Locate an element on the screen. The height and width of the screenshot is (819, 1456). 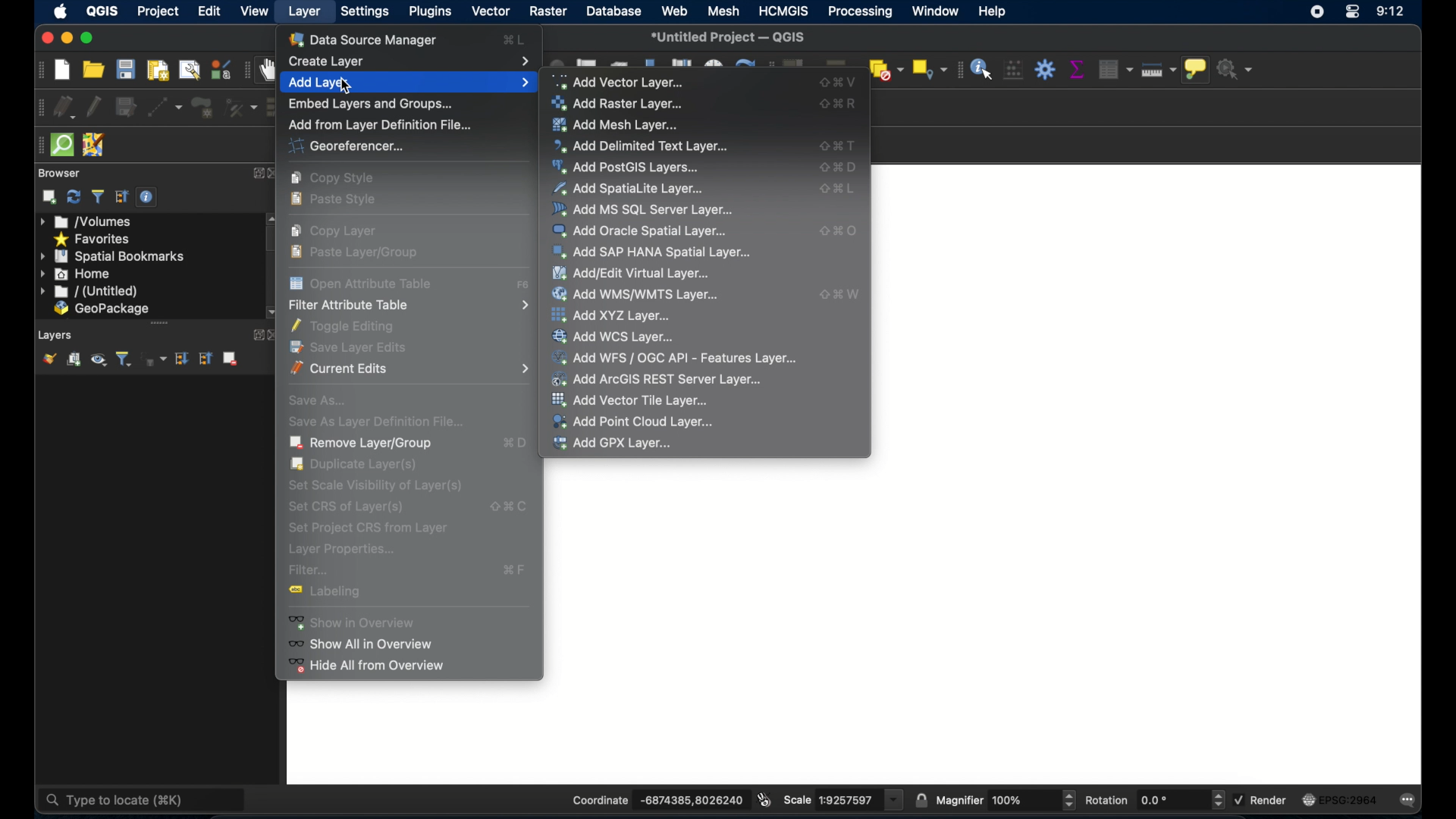
help is located at coordinates (998, 12).